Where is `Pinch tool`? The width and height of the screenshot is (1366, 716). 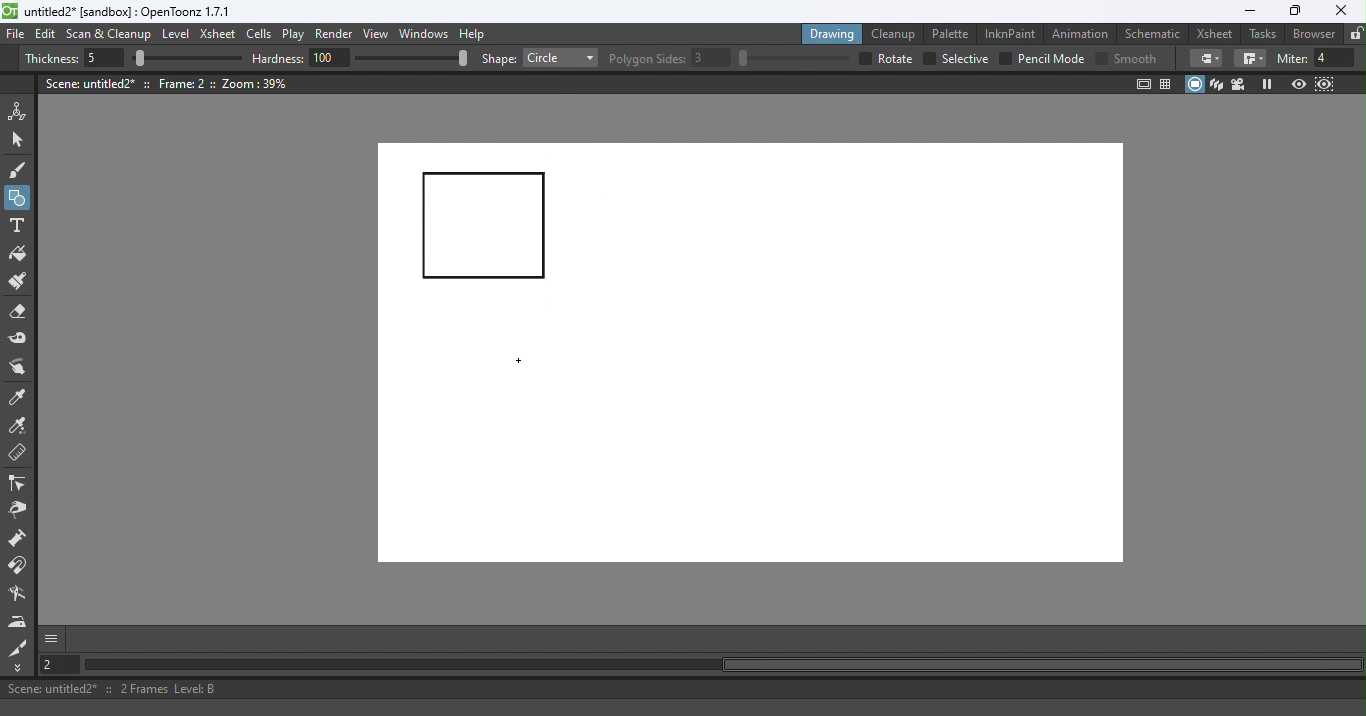
Pinch tool is located at coordinates (17, 513).